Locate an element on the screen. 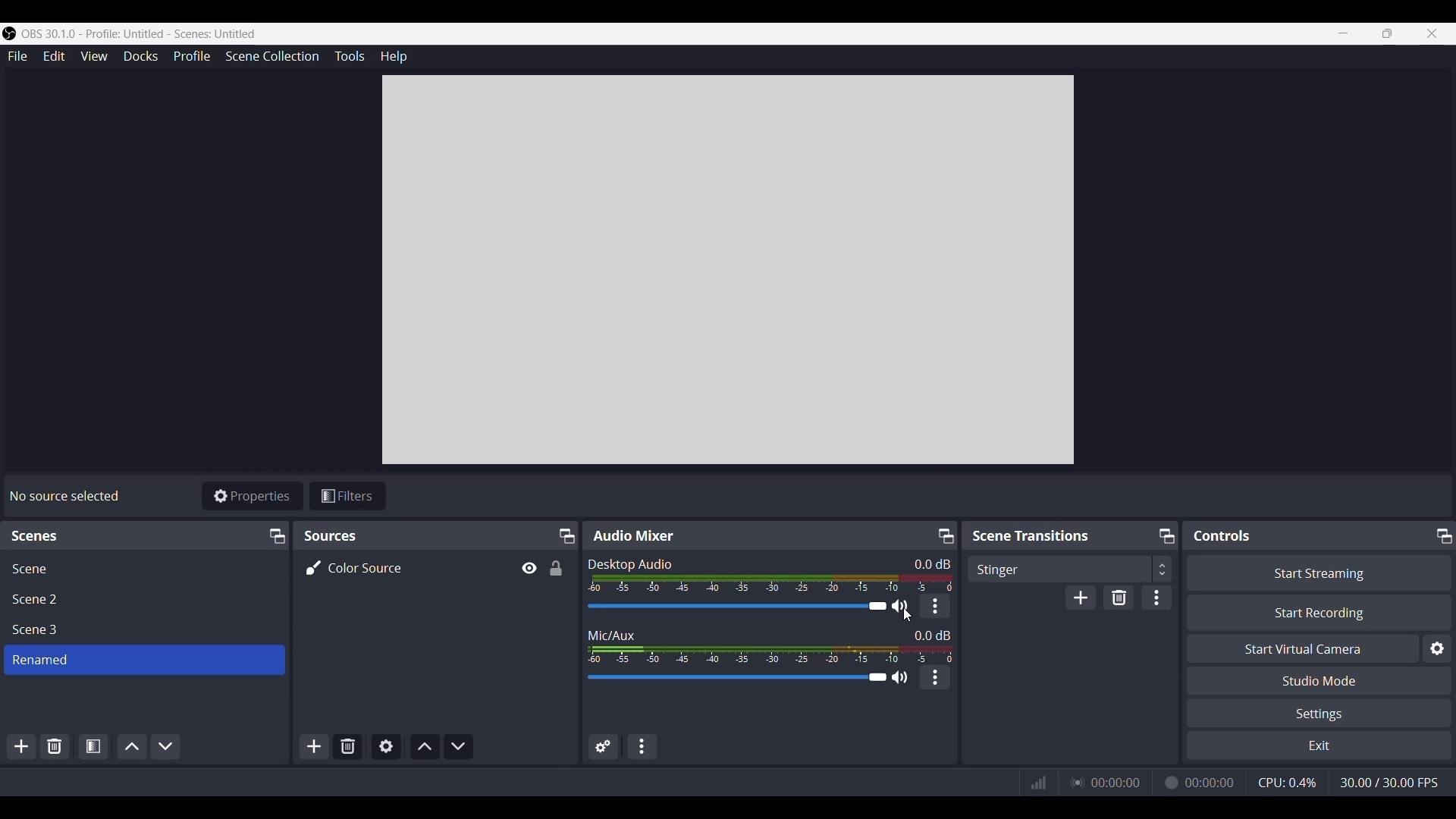 The image size is (1456, 819). Recorded duration is located at coordinates (1198, 782).